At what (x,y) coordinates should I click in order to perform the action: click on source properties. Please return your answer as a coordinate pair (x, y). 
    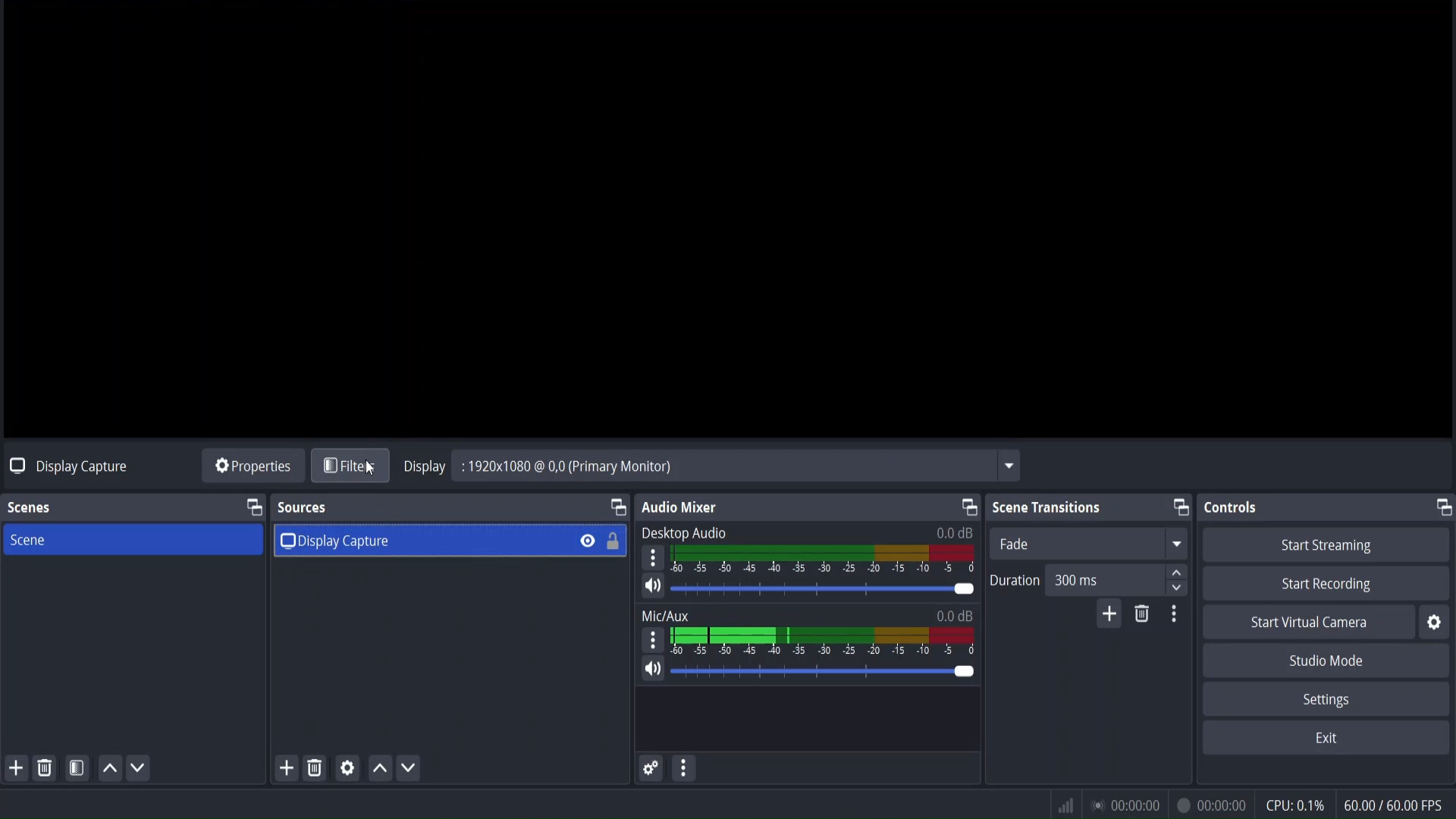
    Looking at the image, I should click on (253, 468).